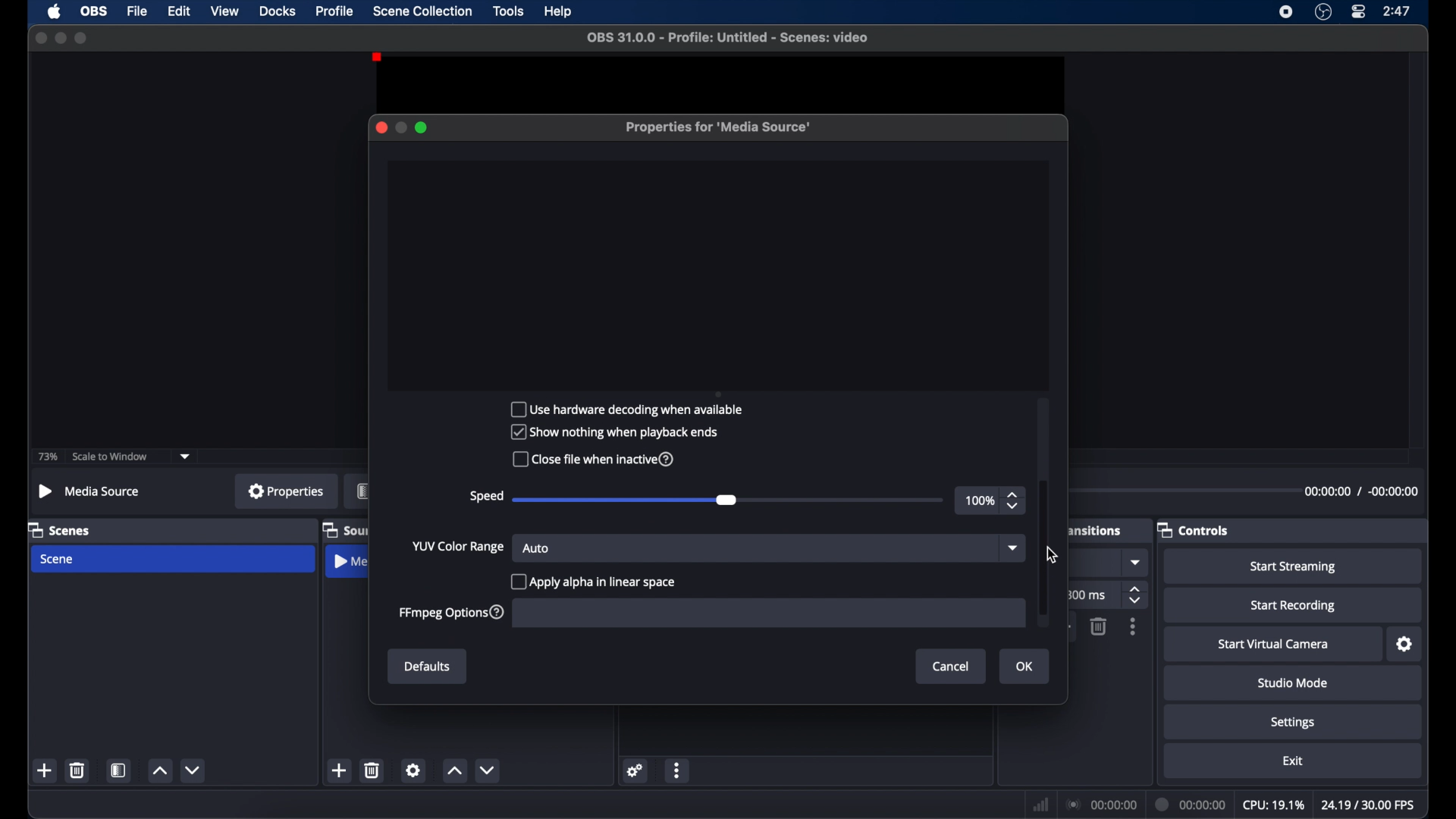 This screenshot has width=1456, height=819. Describe the element at coordinates (55, 11) in the screenshot. I see `apple icon` at that location.